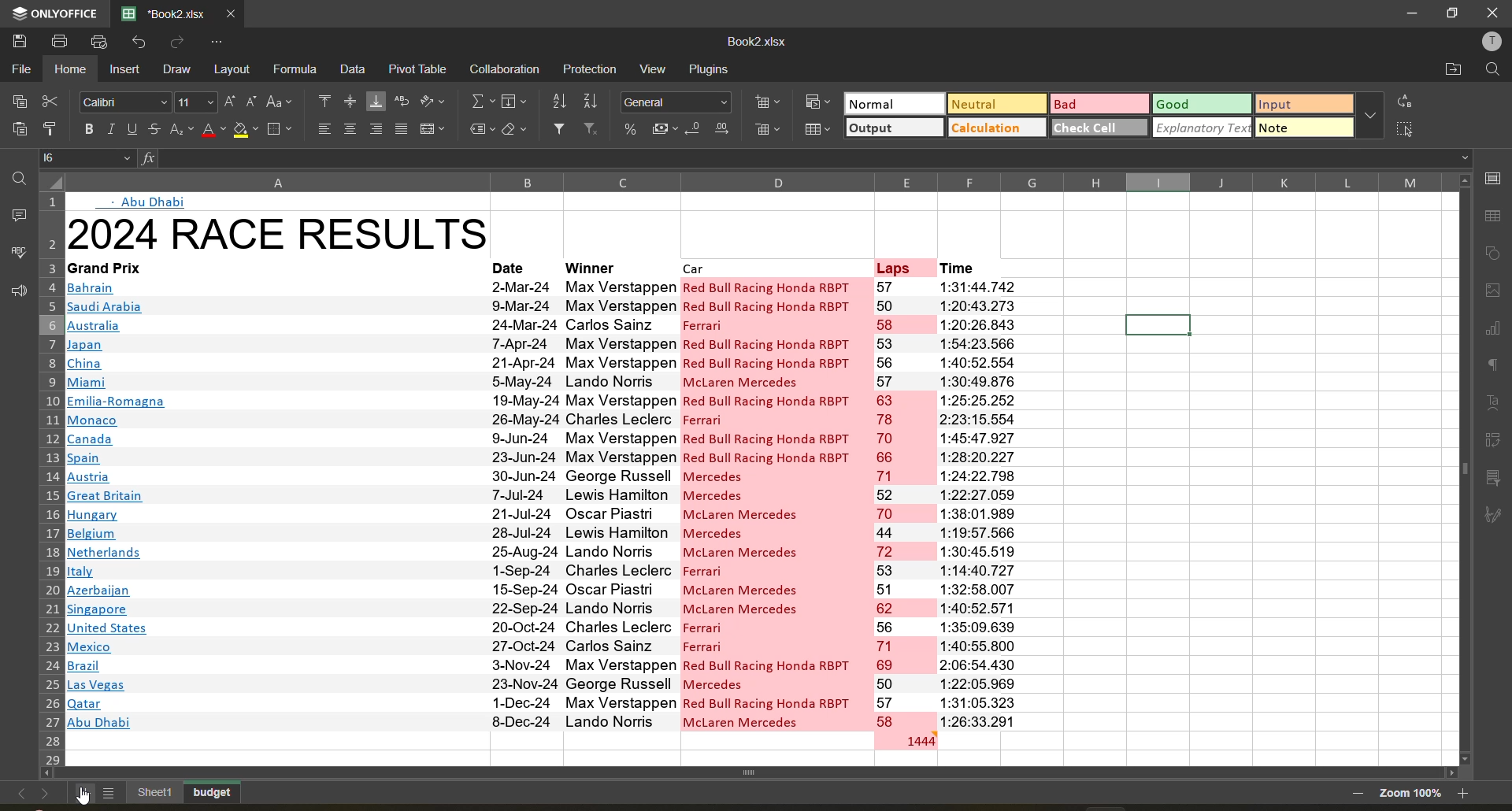 The height and width of the screenshot is (811, 1512). Describe the element at coordinates (745, 182) in the screenshot. I see `column names` at that location.